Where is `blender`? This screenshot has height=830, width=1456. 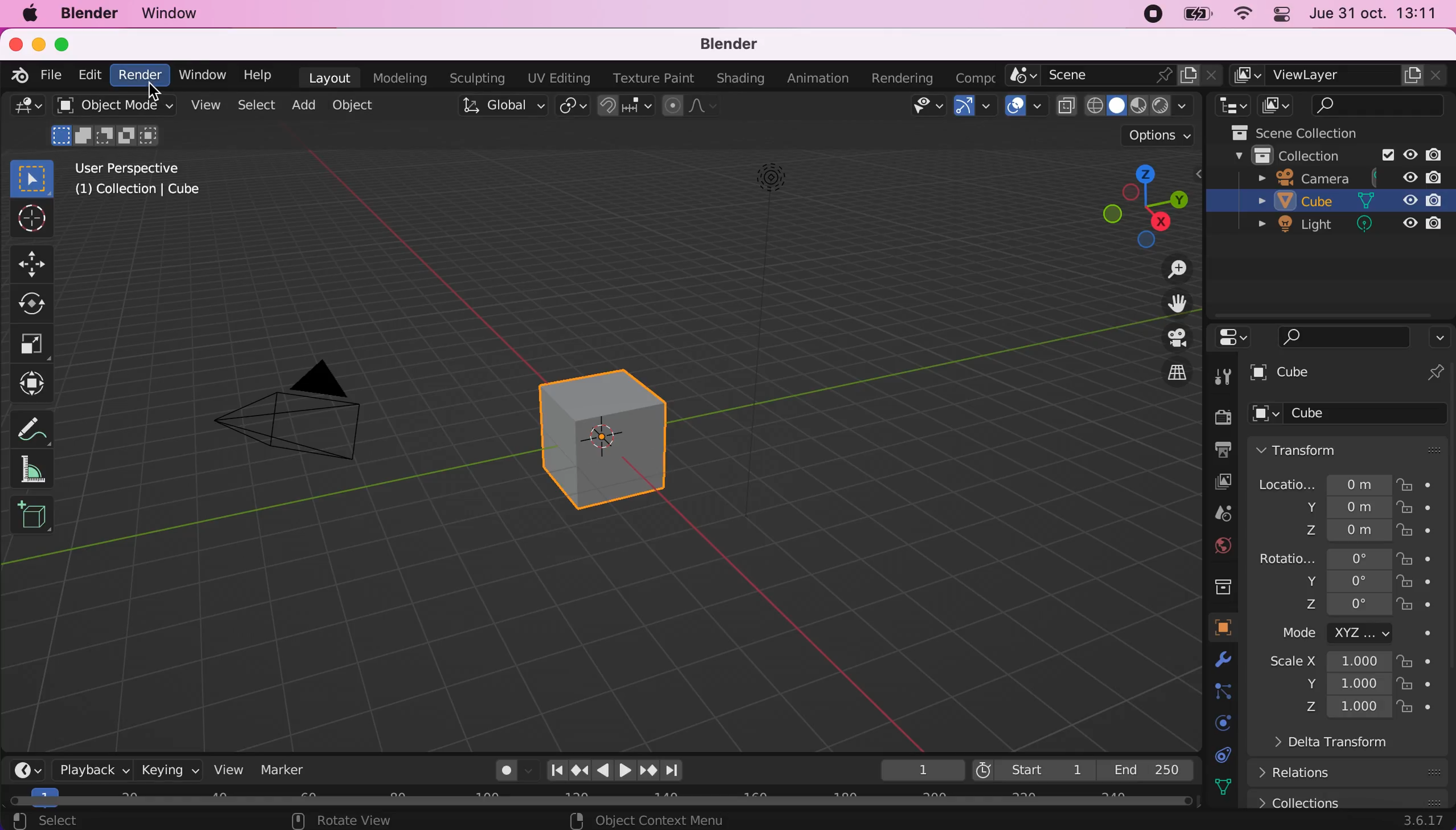 blender is located at coordinates (736, 41).